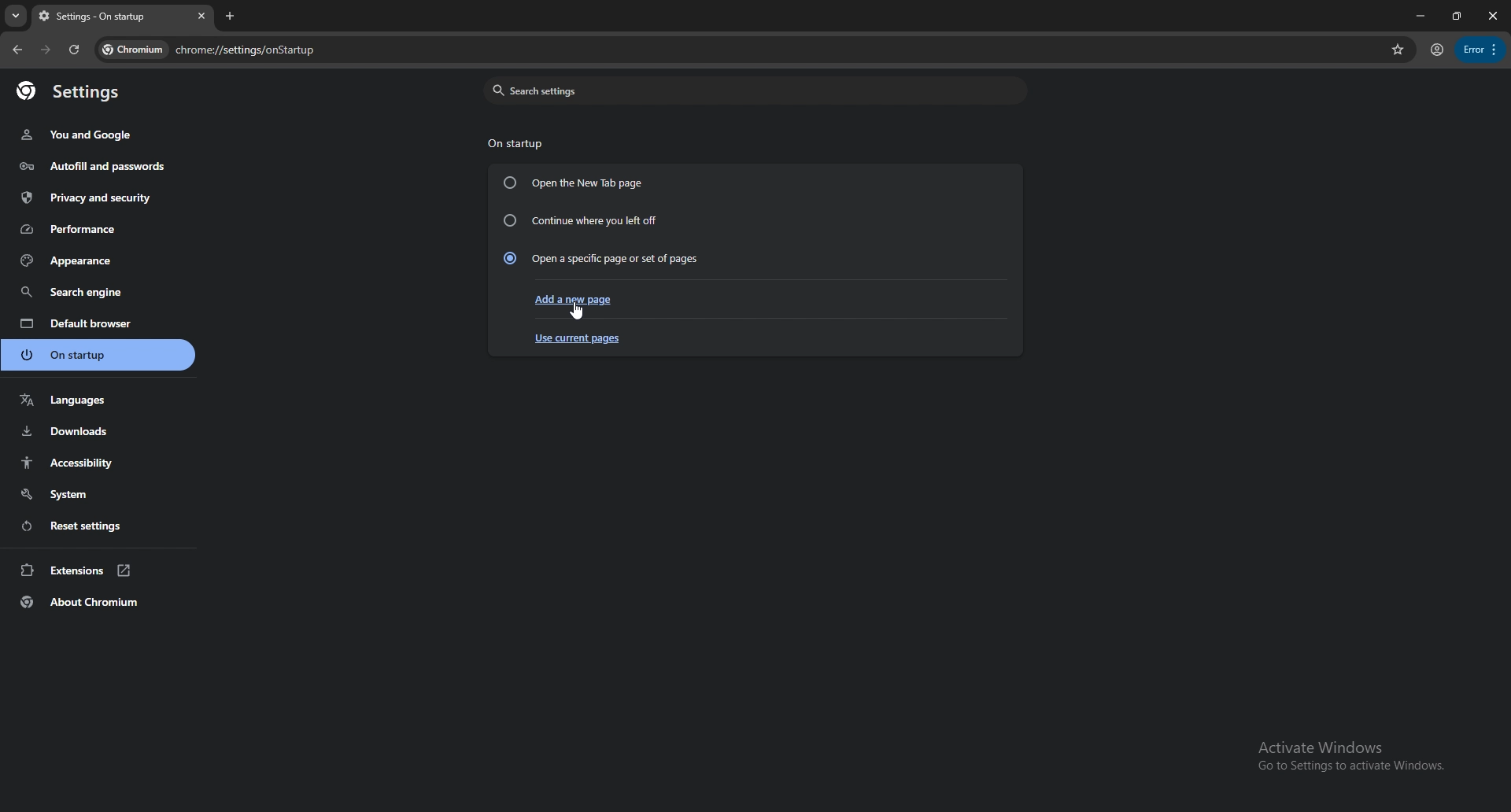 This screenshot has width=1511, height=812. What do you see at coordinates (97, 431) in the screenshot?
I see `downloads` at bounding box center [97, 431].